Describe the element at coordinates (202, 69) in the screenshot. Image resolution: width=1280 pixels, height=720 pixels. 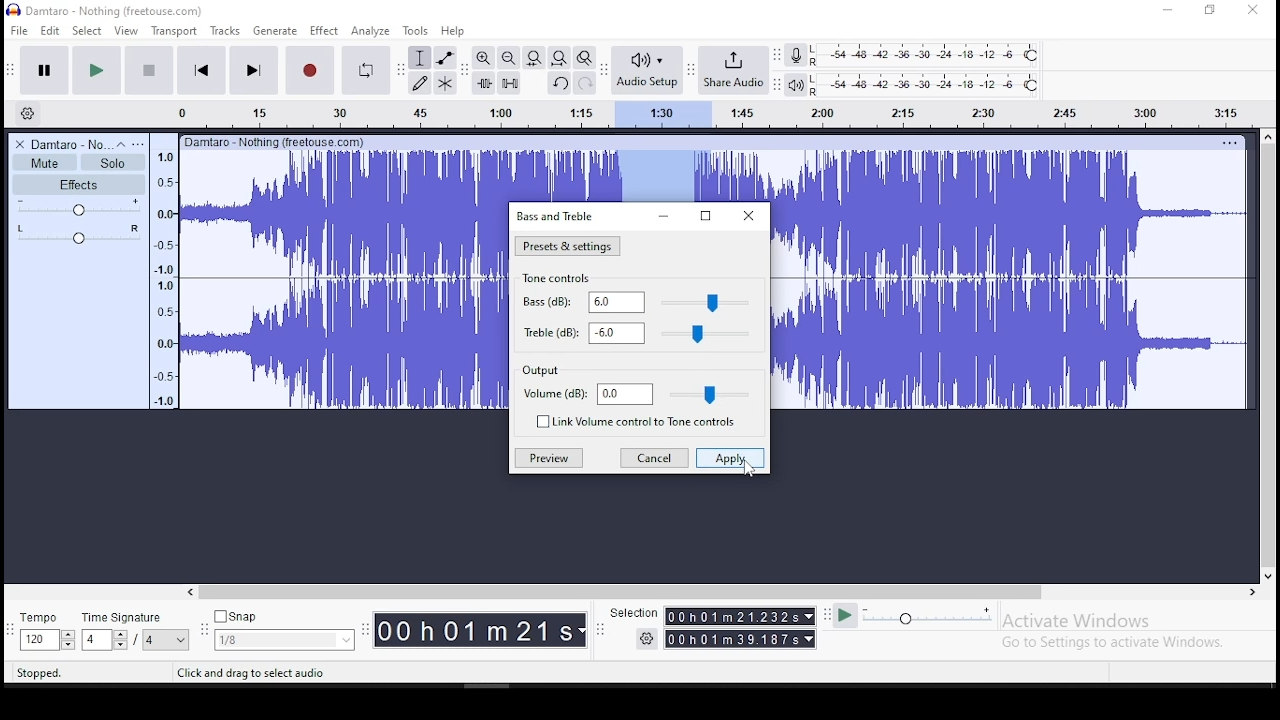
I see `skip to start` at that location.